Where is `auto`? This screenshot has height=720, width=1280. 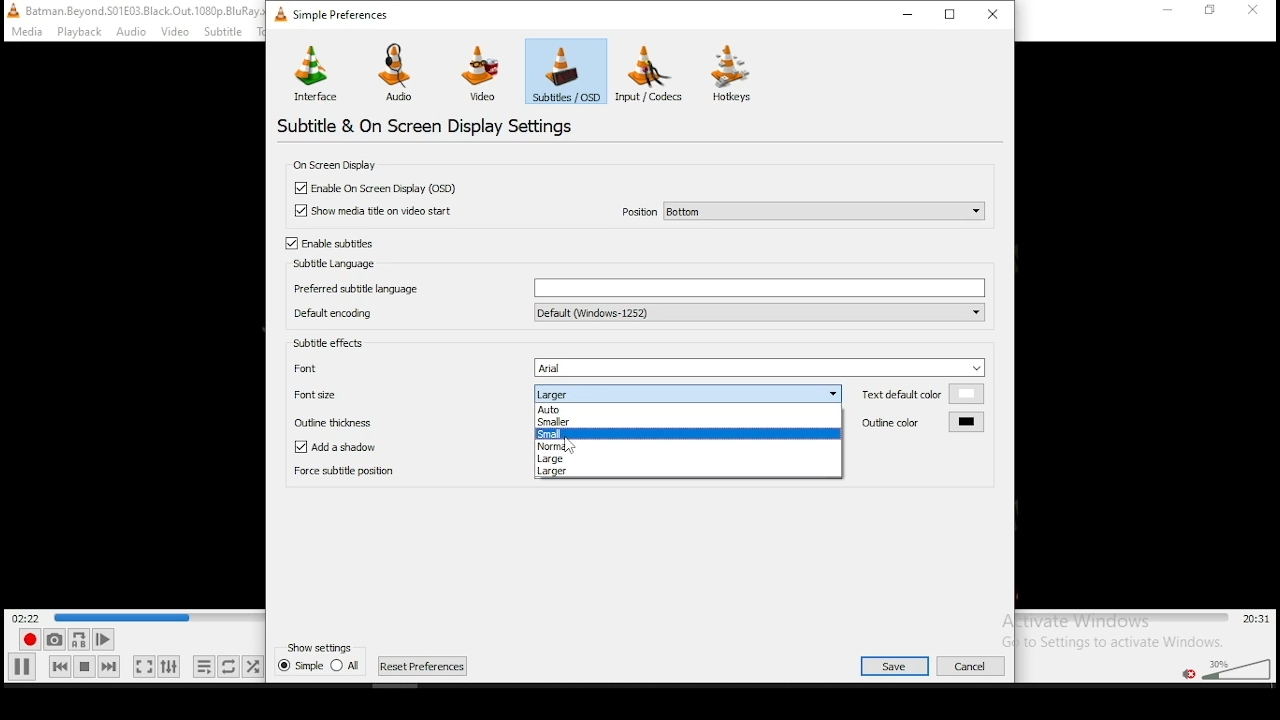 auto is located at coordinates (688, 409).